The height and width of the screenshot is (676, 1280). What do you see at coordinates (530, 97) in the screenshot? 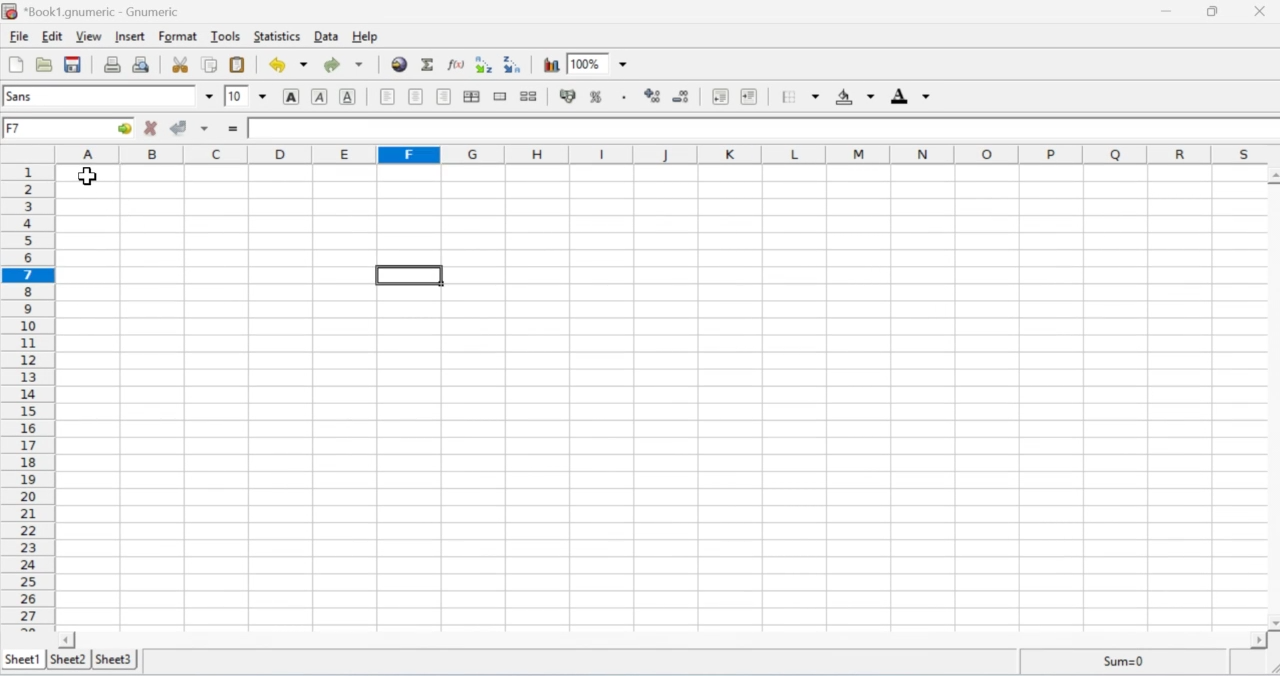
I see `Split merged cells` at bounding box center [530, 97].